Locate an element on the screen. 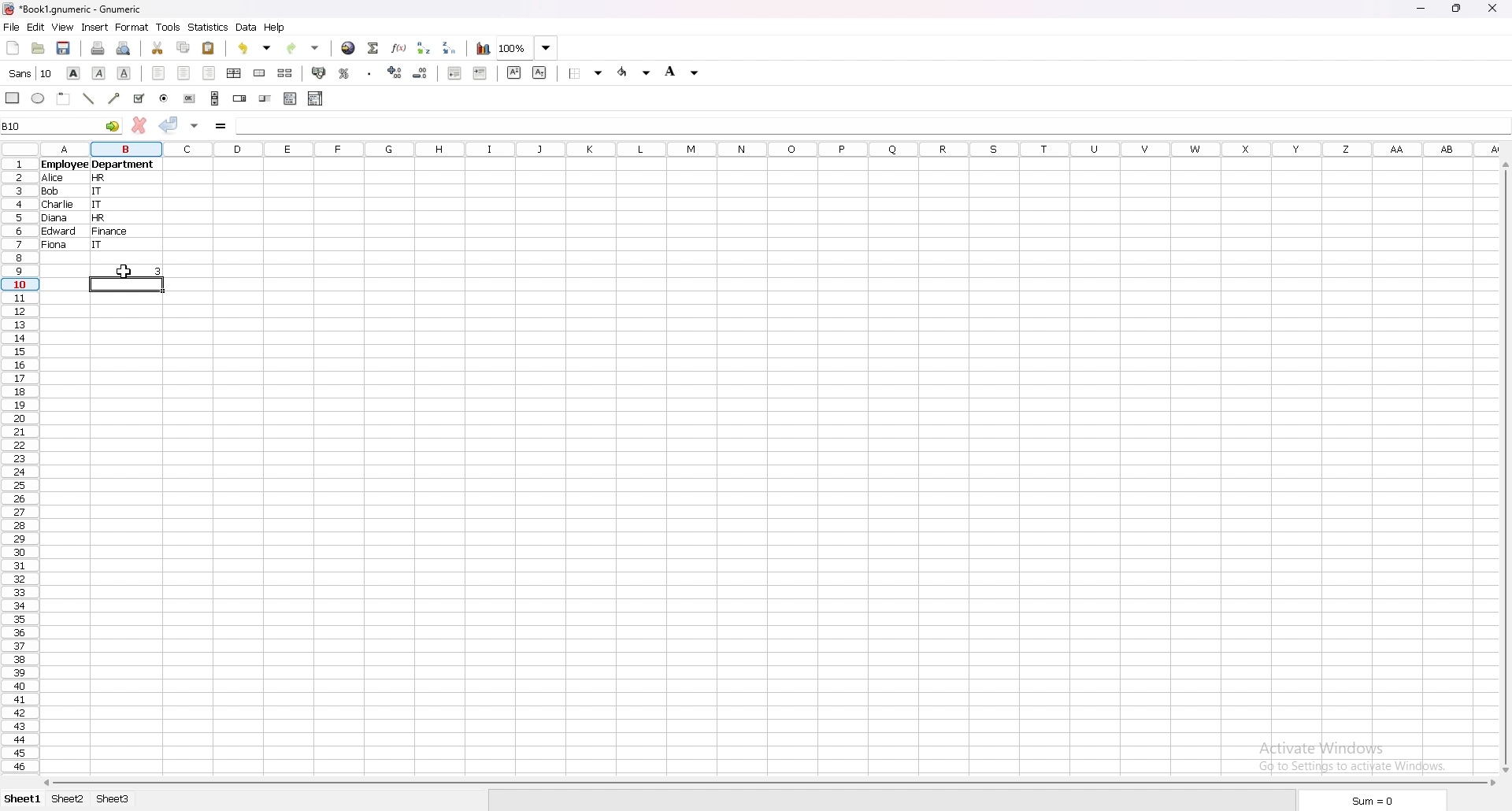 This screenshot has width=1512, height=811. charlie is located at coordinates (62, 206).